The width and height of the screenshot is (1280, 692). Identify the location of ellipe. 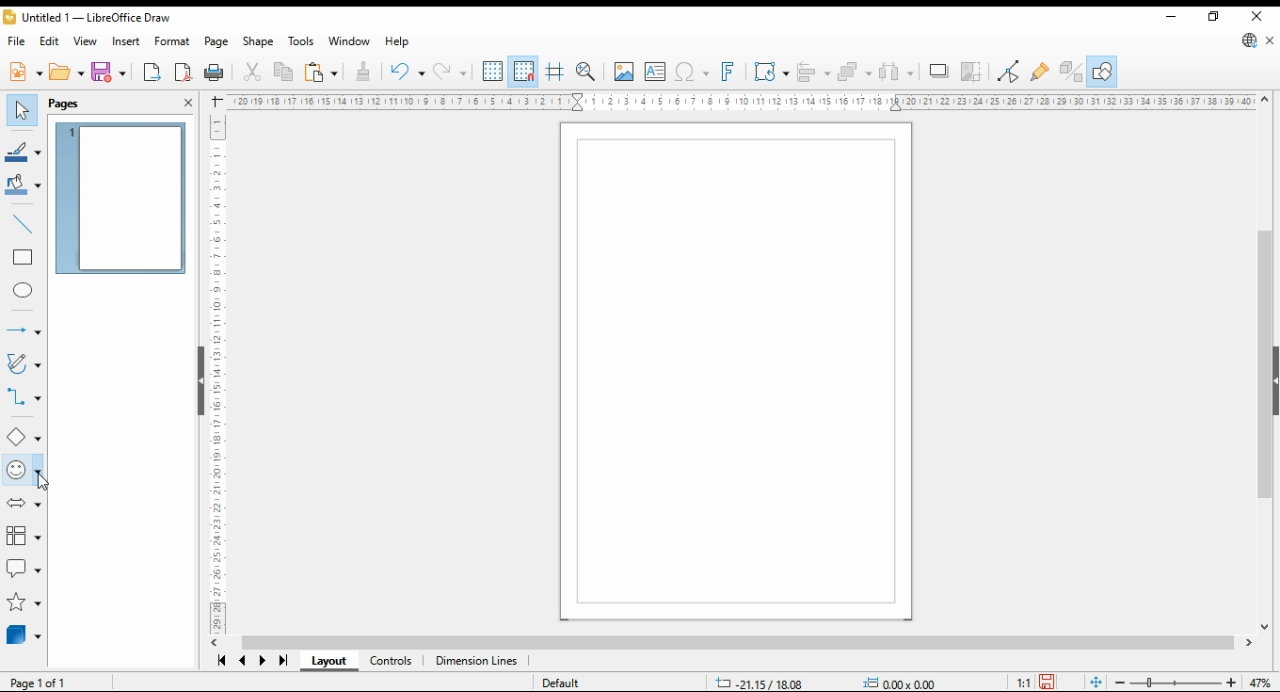
(24, 291).